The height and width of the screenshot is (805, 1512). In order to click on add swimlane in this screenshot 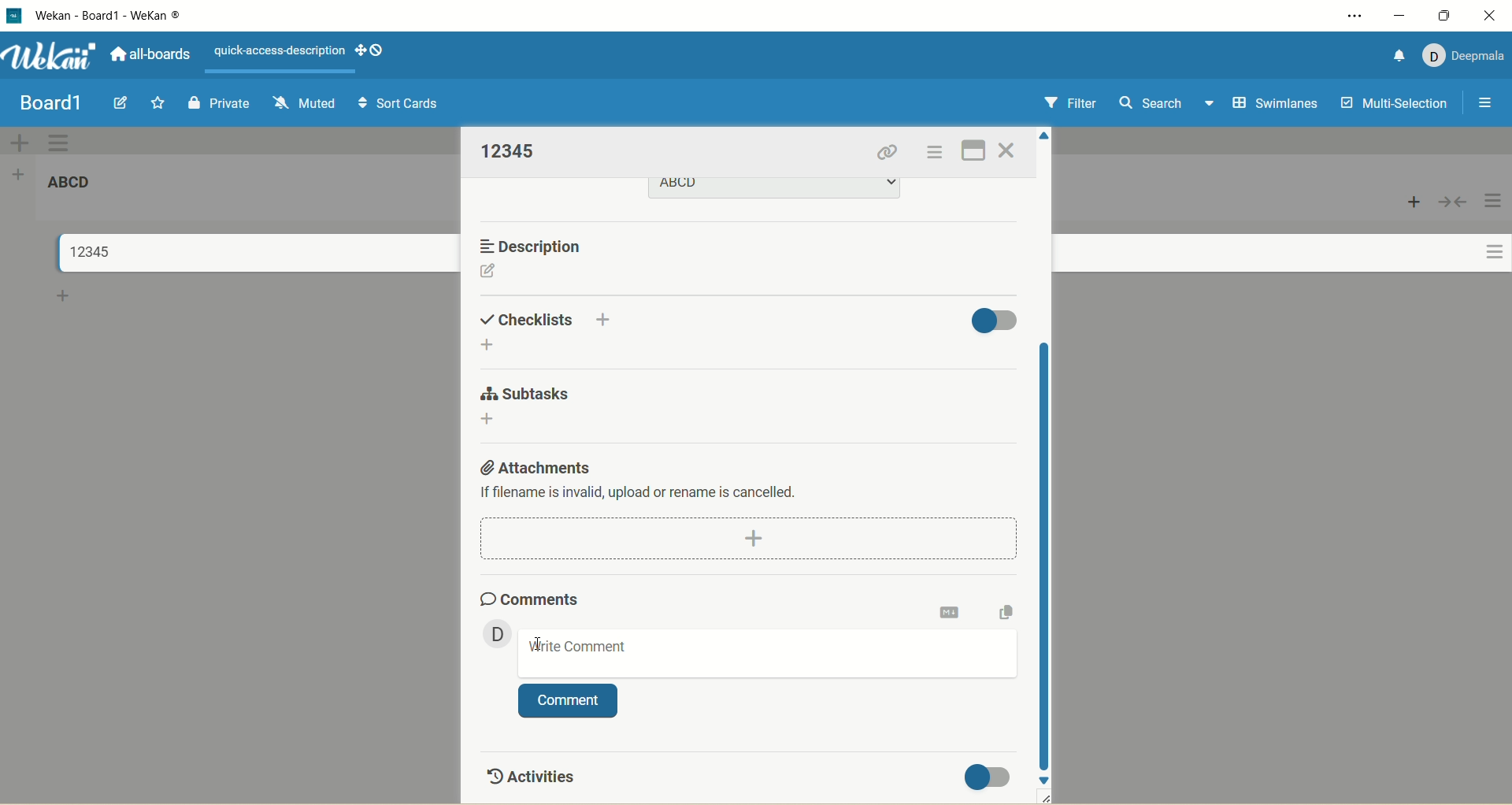, I will do `click(17, 142)`.